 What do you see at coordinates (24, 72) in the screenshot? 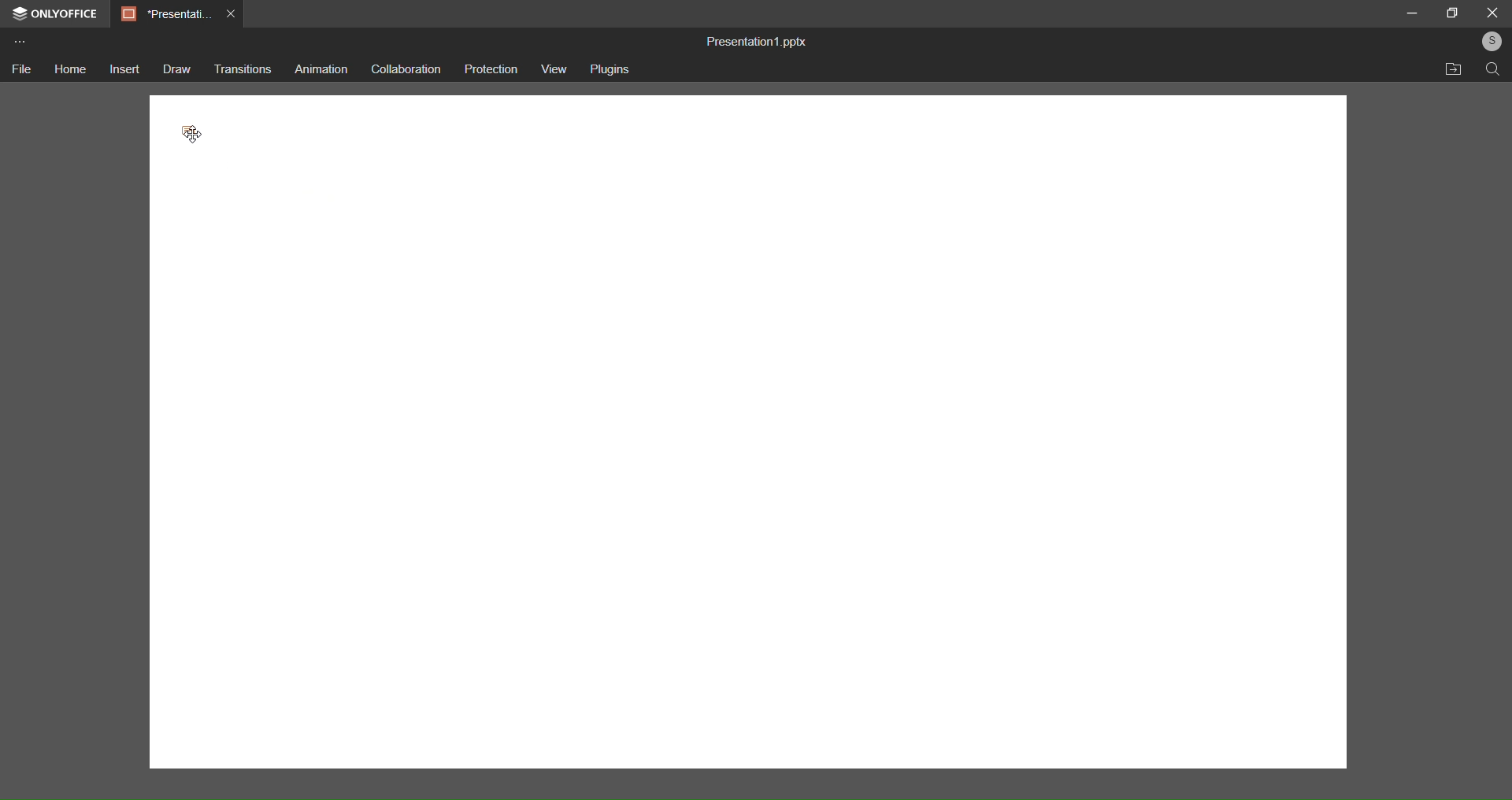
I see `file` at bounding box center [24, 72].